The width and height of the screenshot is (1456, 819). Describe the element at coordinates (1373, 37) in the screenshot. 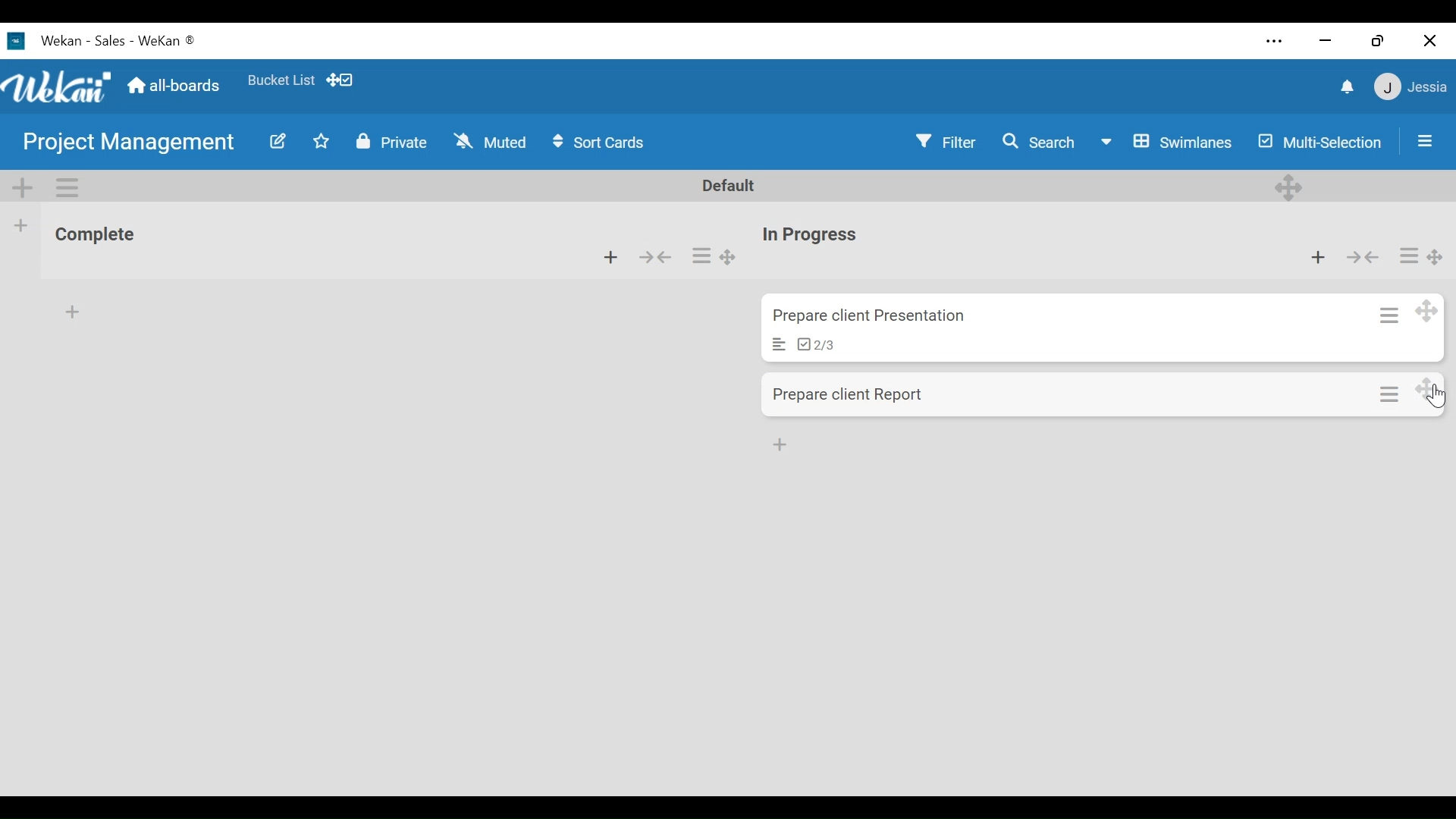

I see `Restore` at that location.